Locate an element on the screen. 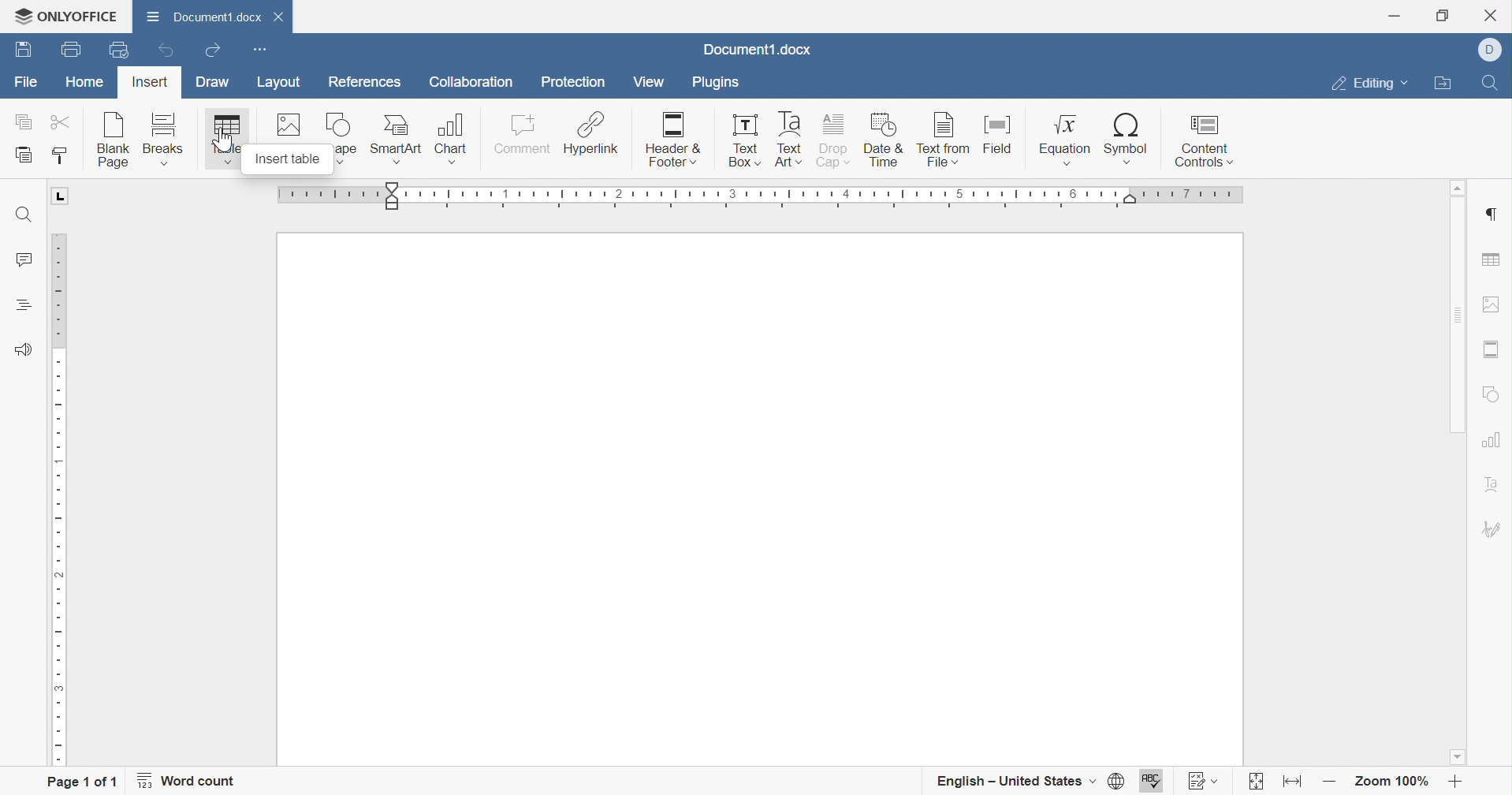 This screenshot has height=795, width=1512. Protection is located at coordinates (572, 80).